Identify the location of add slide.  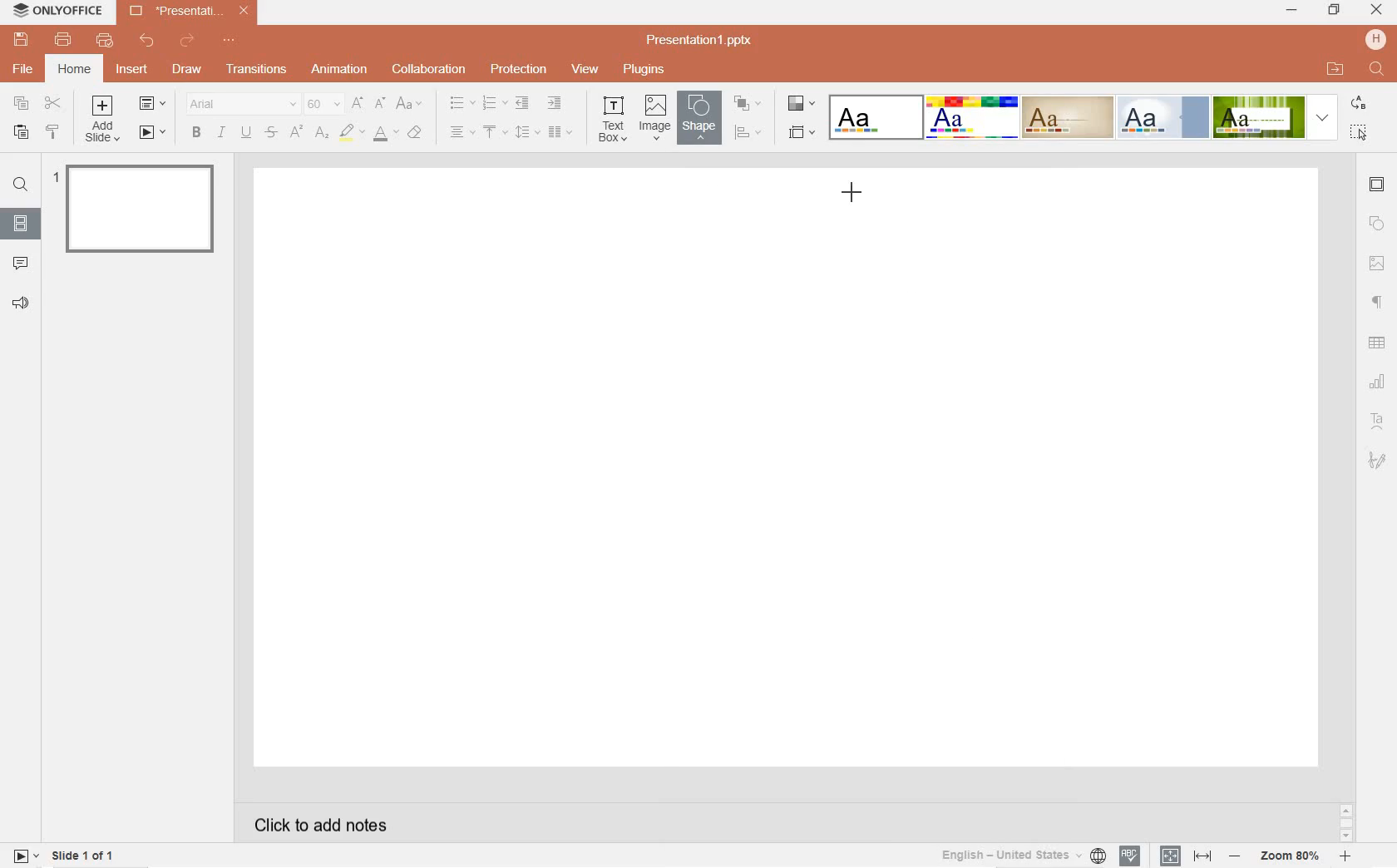
(105, 121).